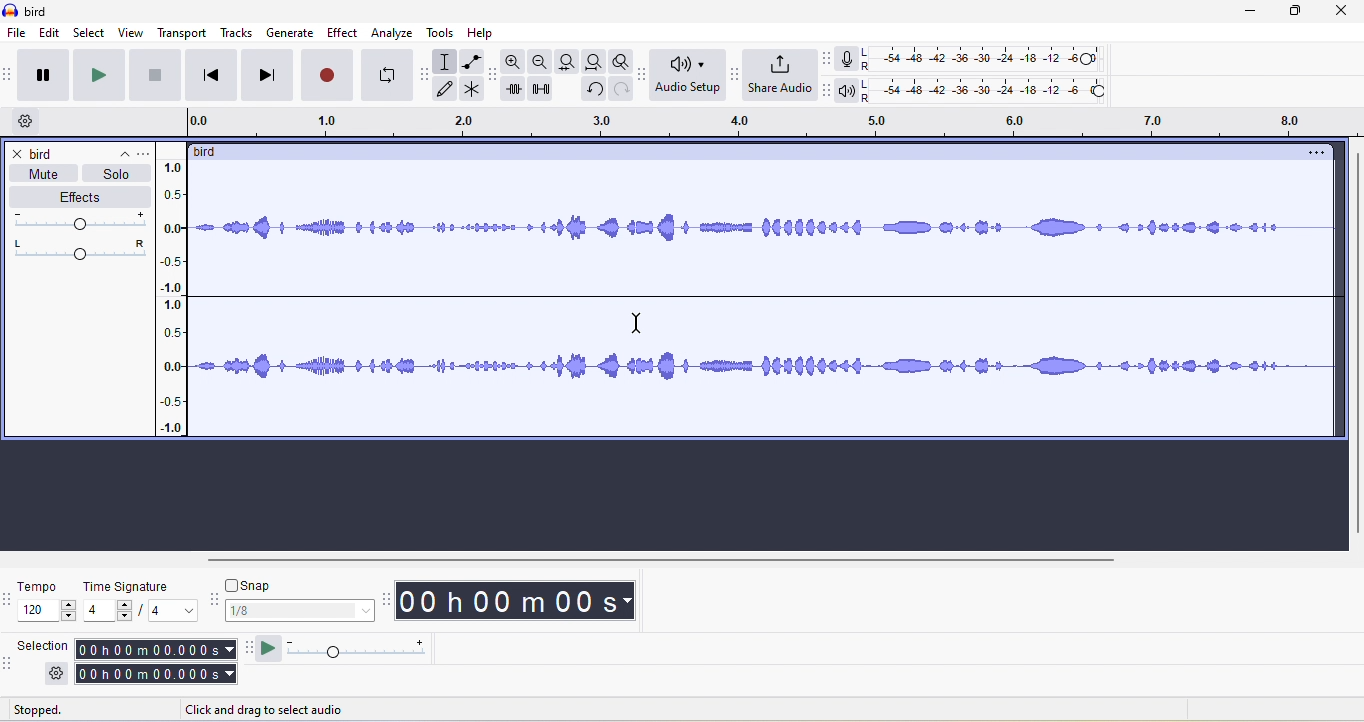  Describe the element at coordinates (18, 155) in the screenshot. I see `close` at that location.